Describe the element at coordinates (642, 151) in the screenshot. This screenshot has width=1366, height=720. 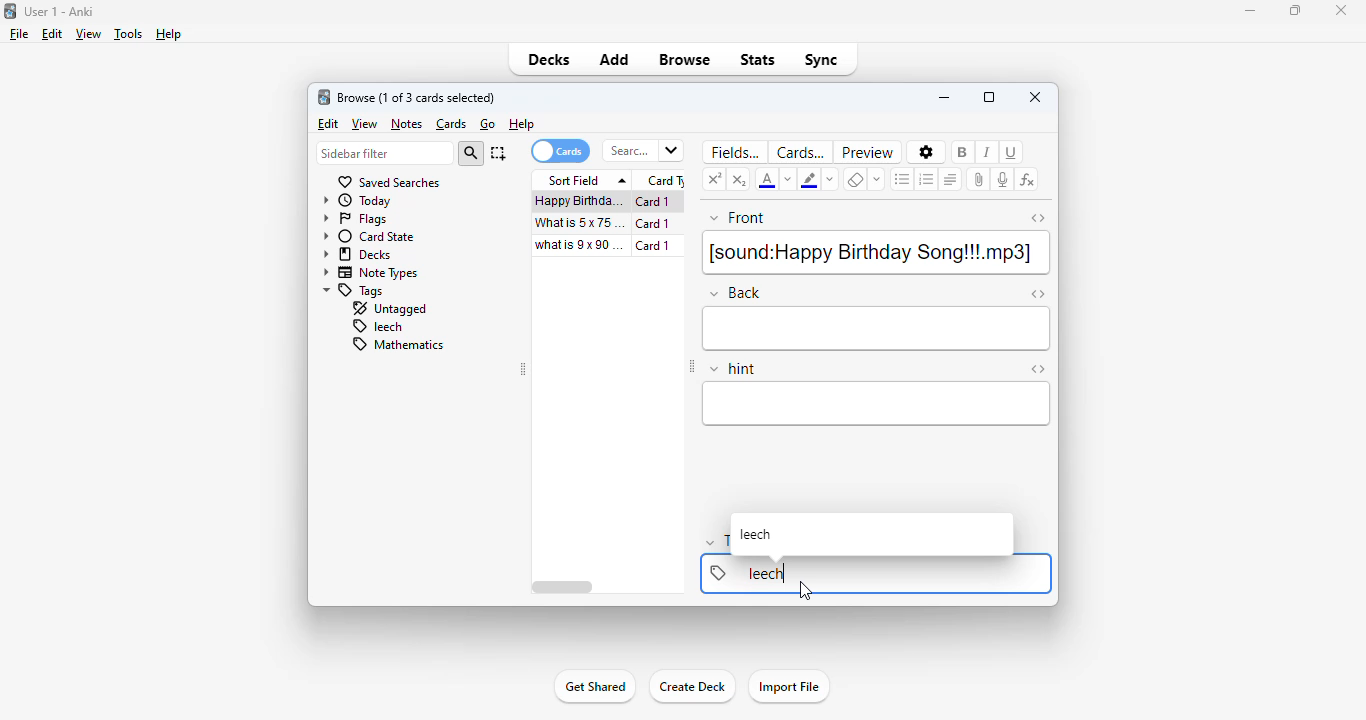
I see `search` at that location.